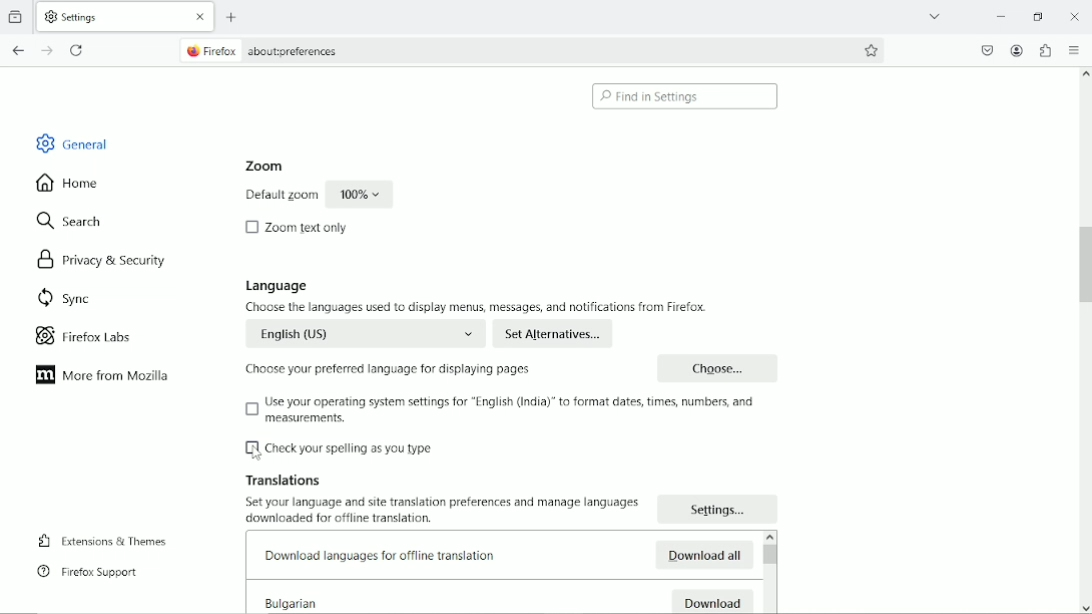  What do you see at coordinates (293, 601) in the screenshot?
I see `Bulgarian` at bounding box center [293, 601].